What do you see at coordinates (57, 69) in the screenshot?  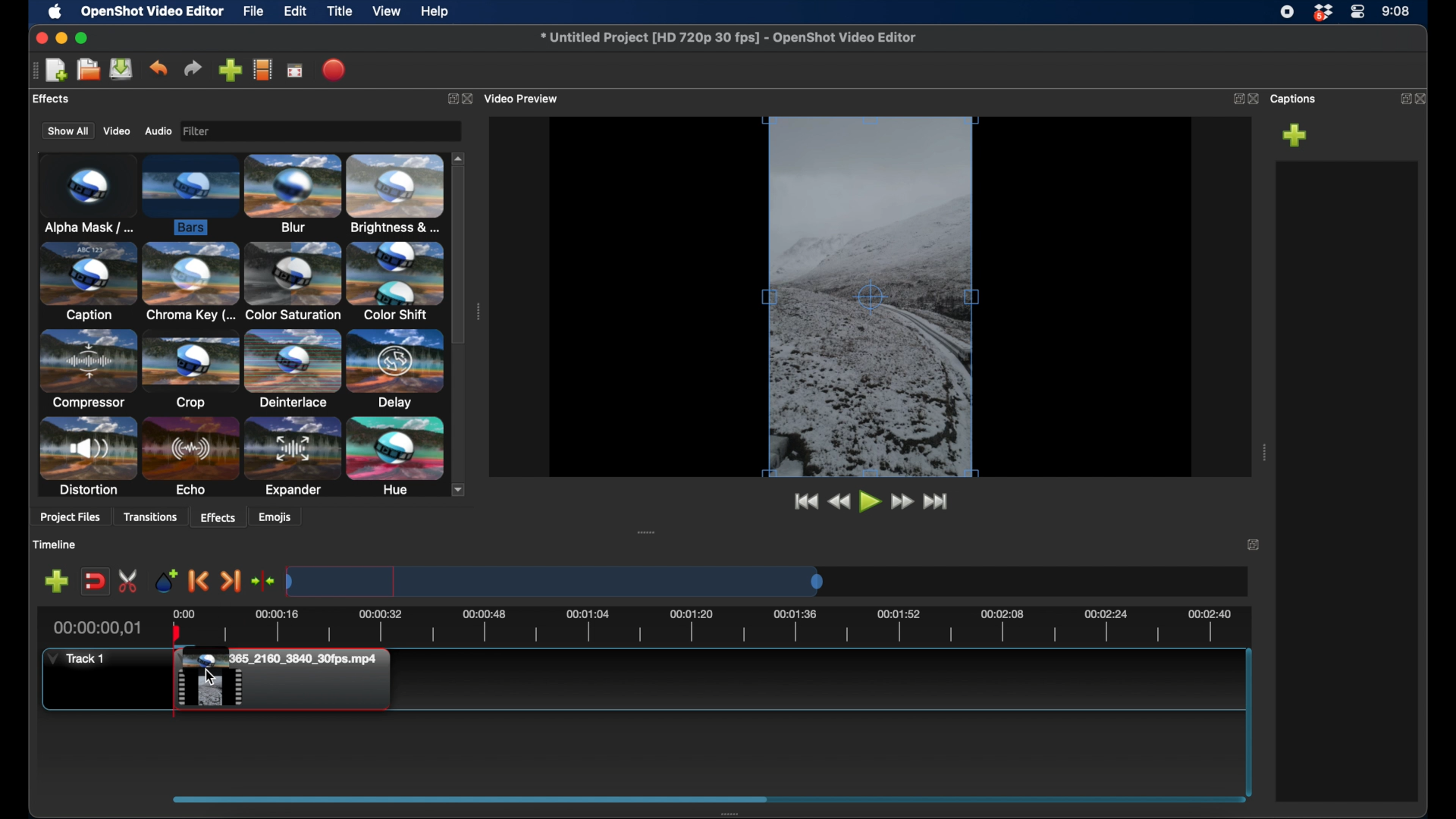 I see `new project` at bounding box center [57, 69].